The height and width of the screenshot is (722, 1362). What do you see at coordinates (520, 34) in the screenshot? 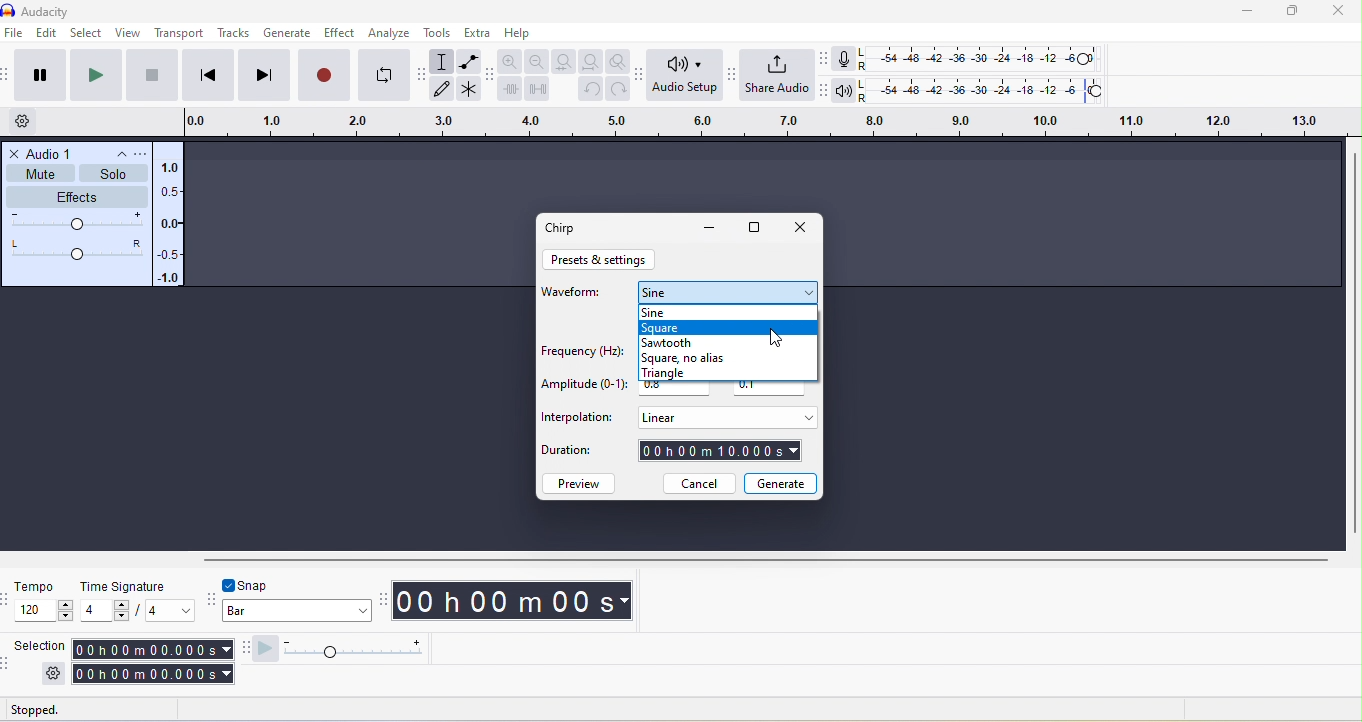
I see `help` at bounding box center [520, 34].